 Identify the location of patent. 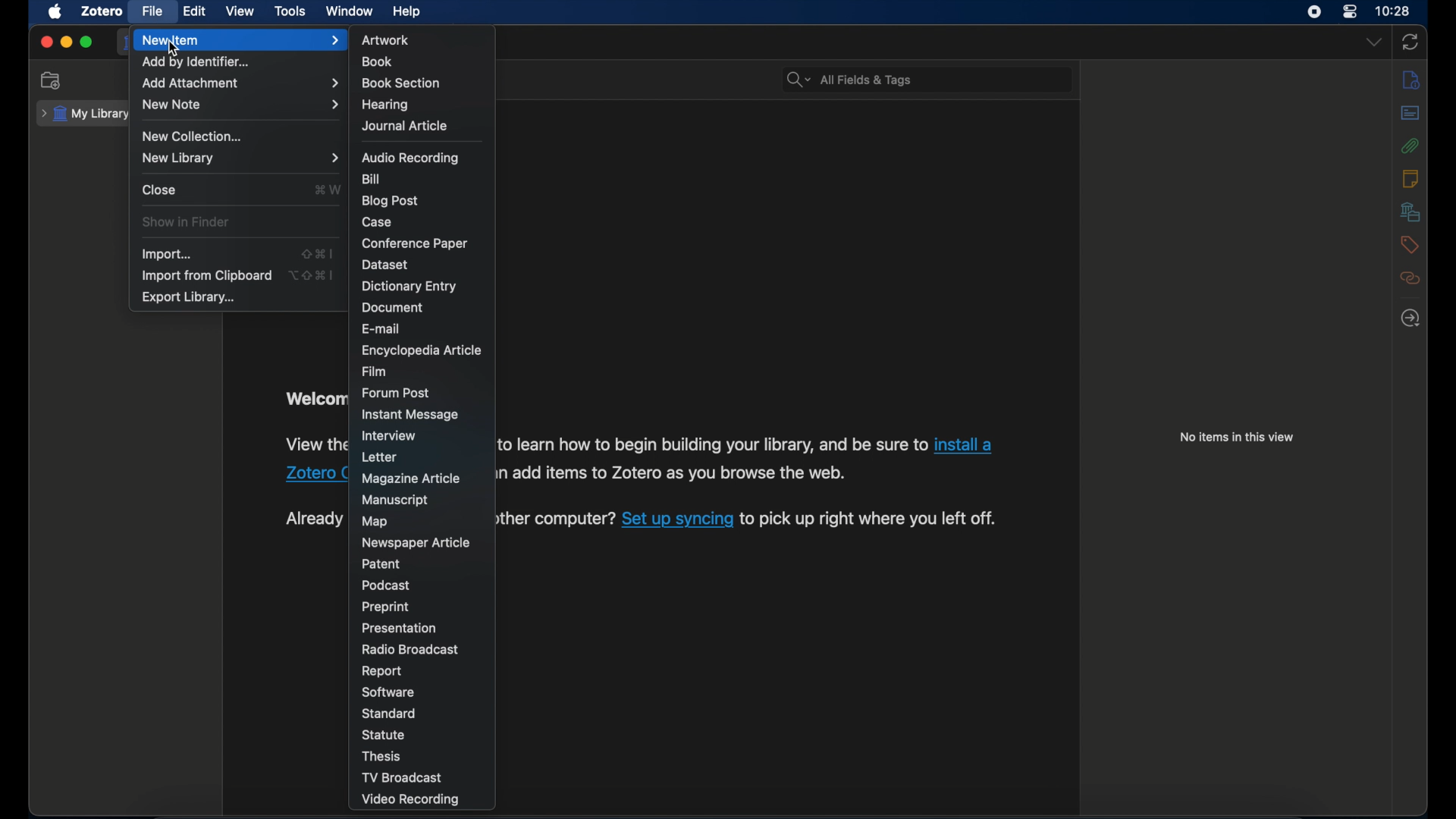
(381, 563).